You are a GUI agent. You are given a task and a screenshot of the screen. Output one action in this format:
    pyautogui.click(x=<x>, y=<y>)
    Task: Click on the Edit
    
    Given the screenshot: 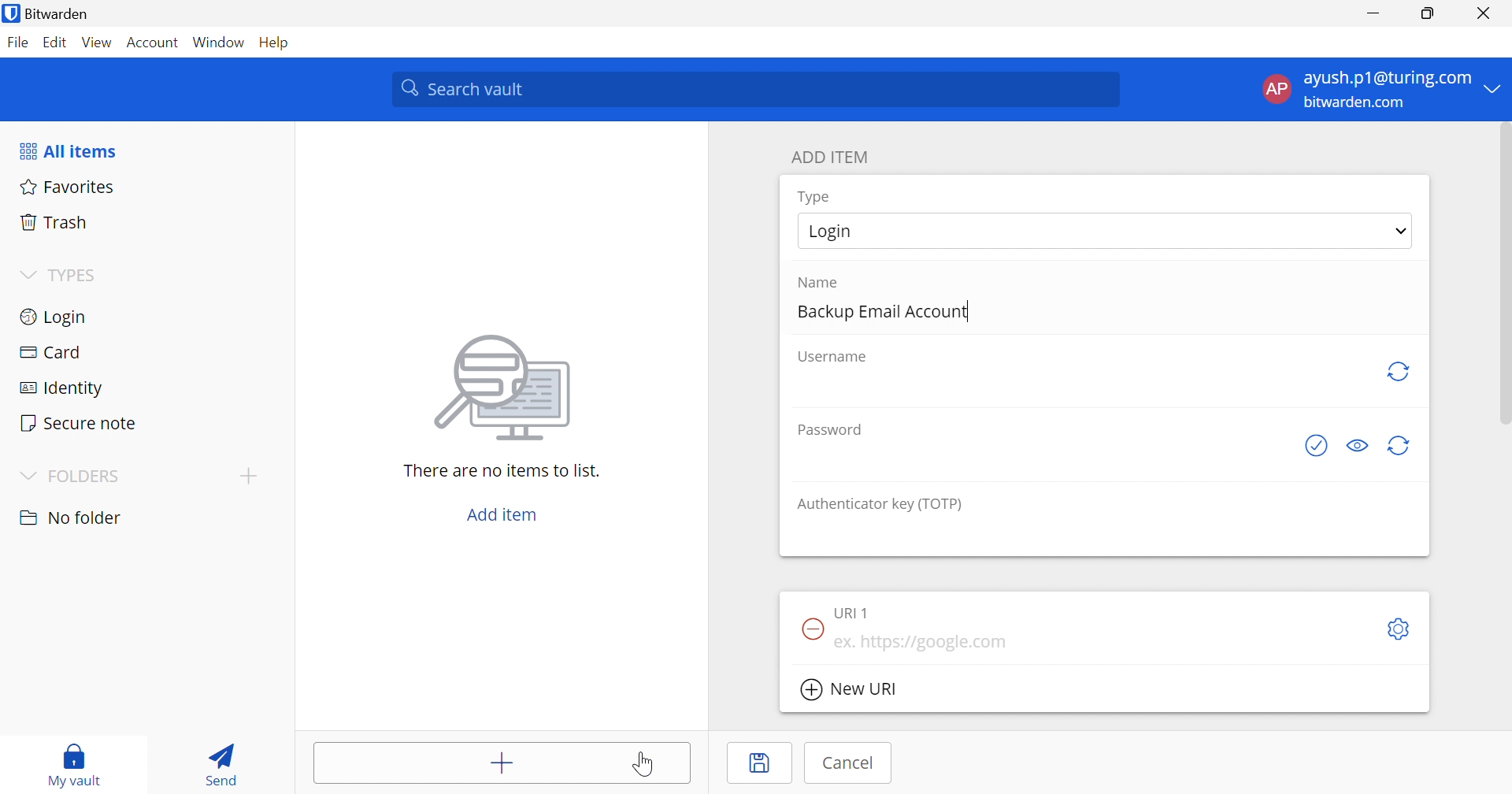 What is the action you would take?
    pyautogui.click(x=55, y=42)
    